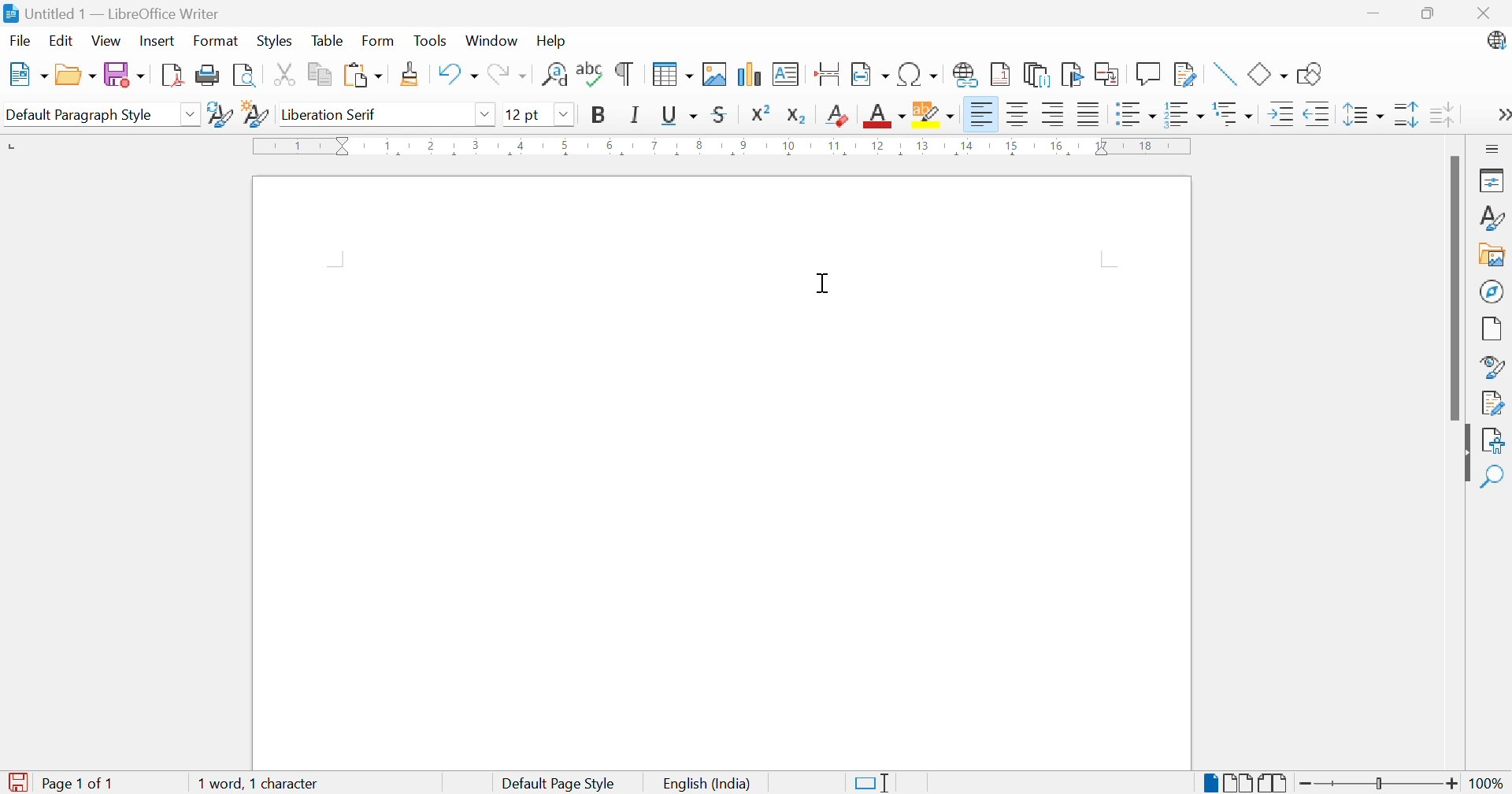 The image size is (1512, 794). I want to click on Toggle Print Preview, so click(245, 76).